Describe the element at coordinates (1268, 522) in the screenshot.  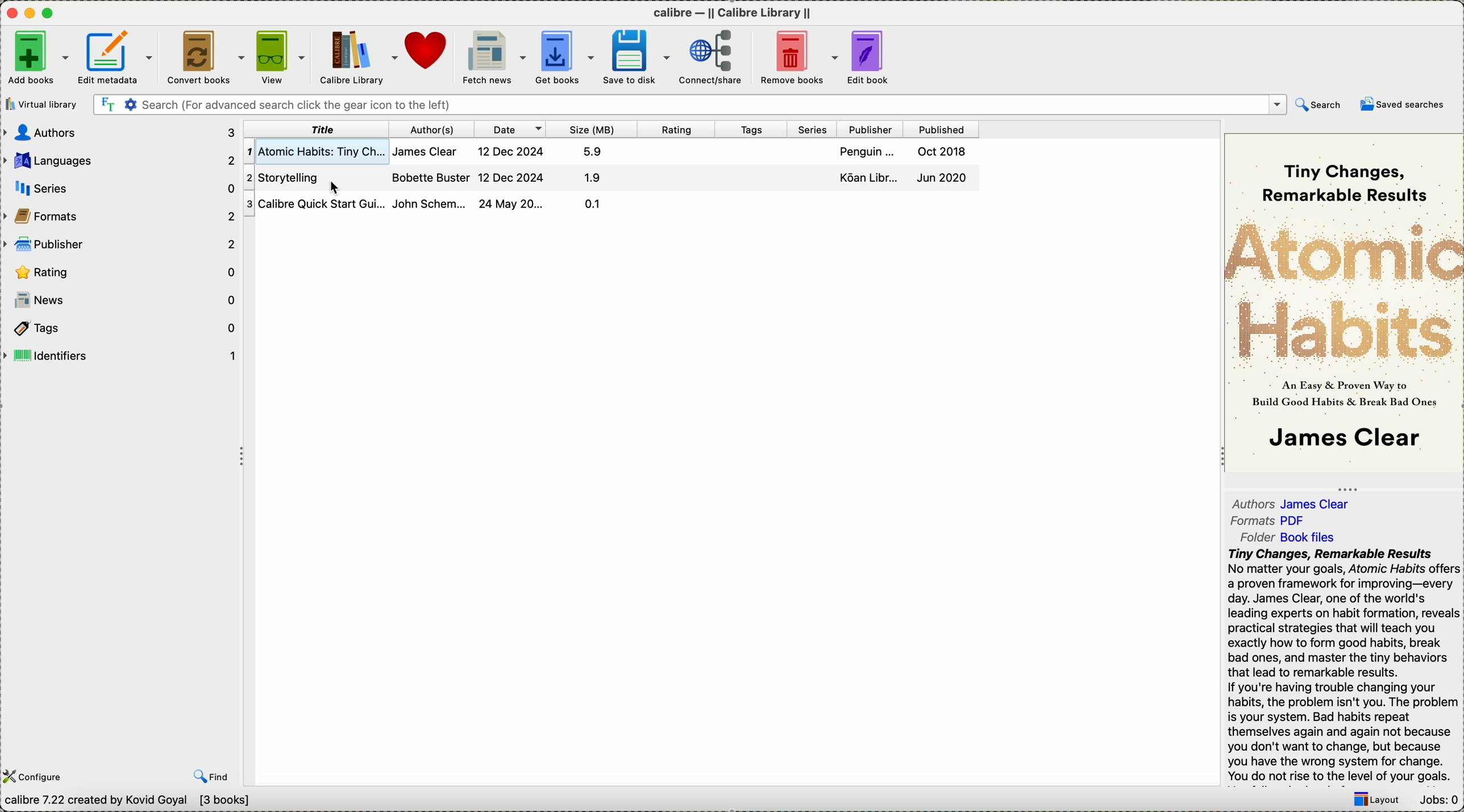
I see `formats` at that location.